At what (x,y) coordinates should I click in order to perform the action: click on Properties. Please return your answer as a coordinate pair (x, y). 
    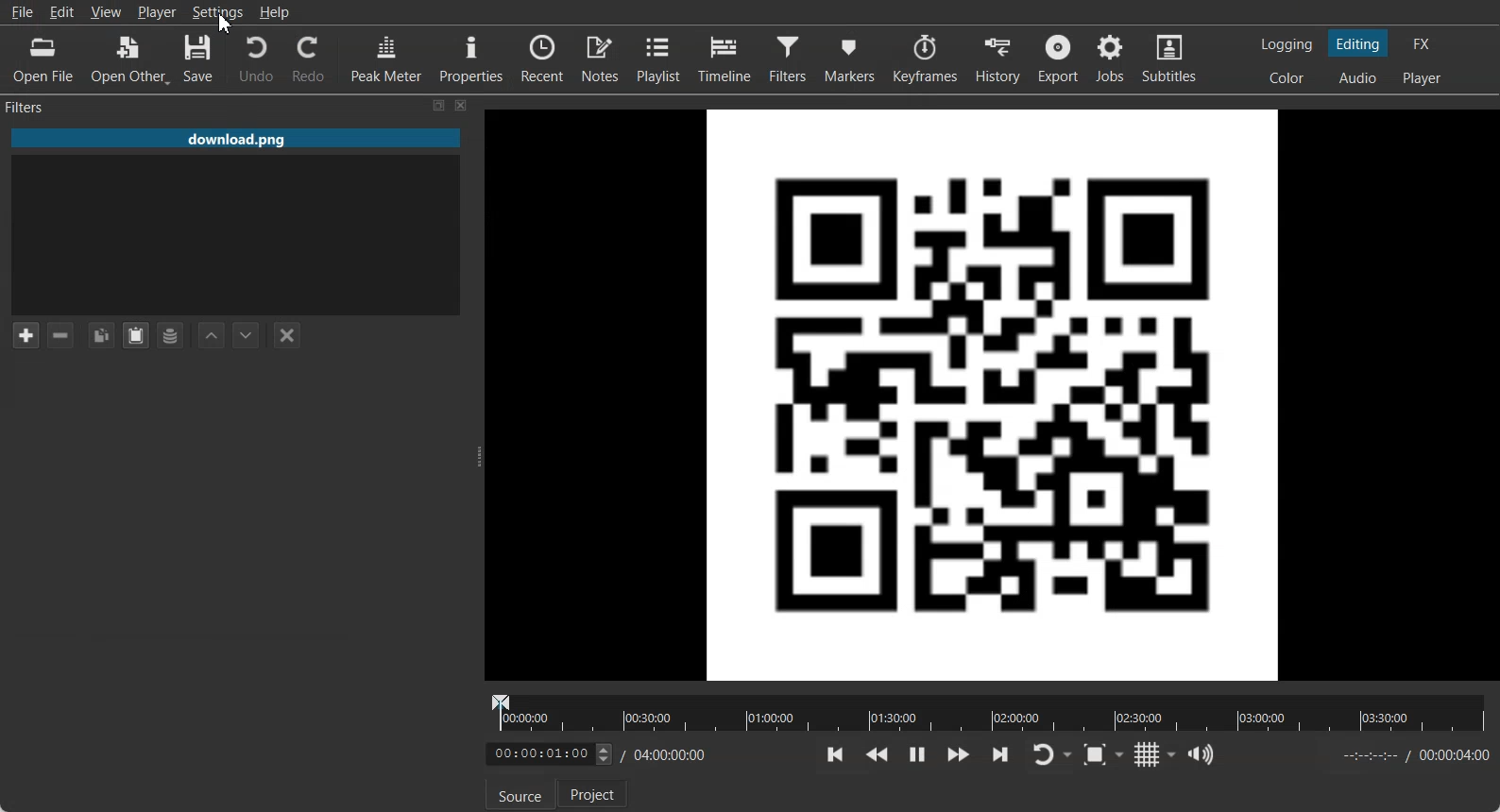
    Looking at the image, I should click on (471, 57).